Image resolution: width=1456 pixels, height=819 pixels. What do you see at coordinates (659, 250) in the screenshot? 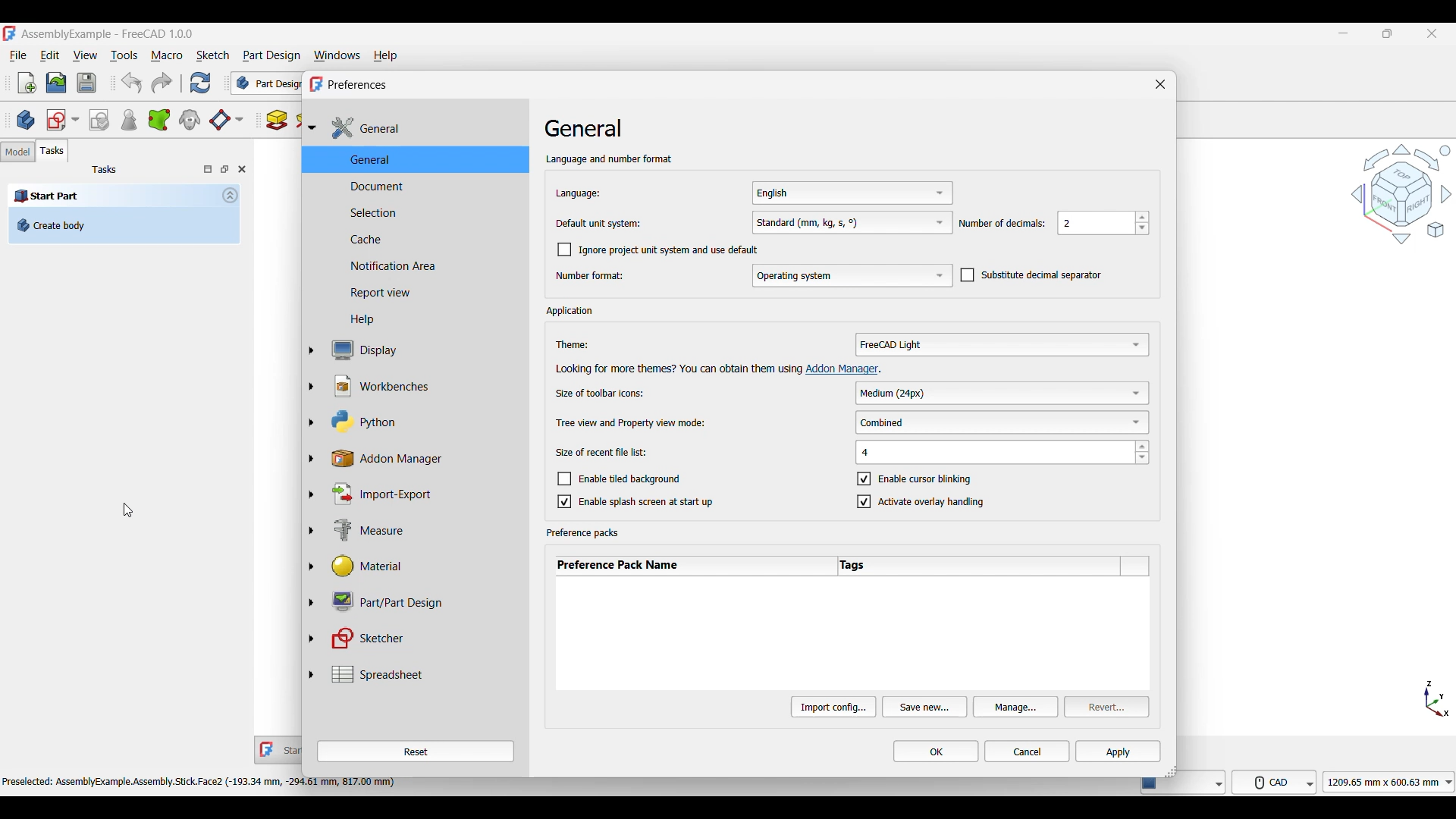
I see `Ignore project unit system and use default` at bounding box center [659, 250].